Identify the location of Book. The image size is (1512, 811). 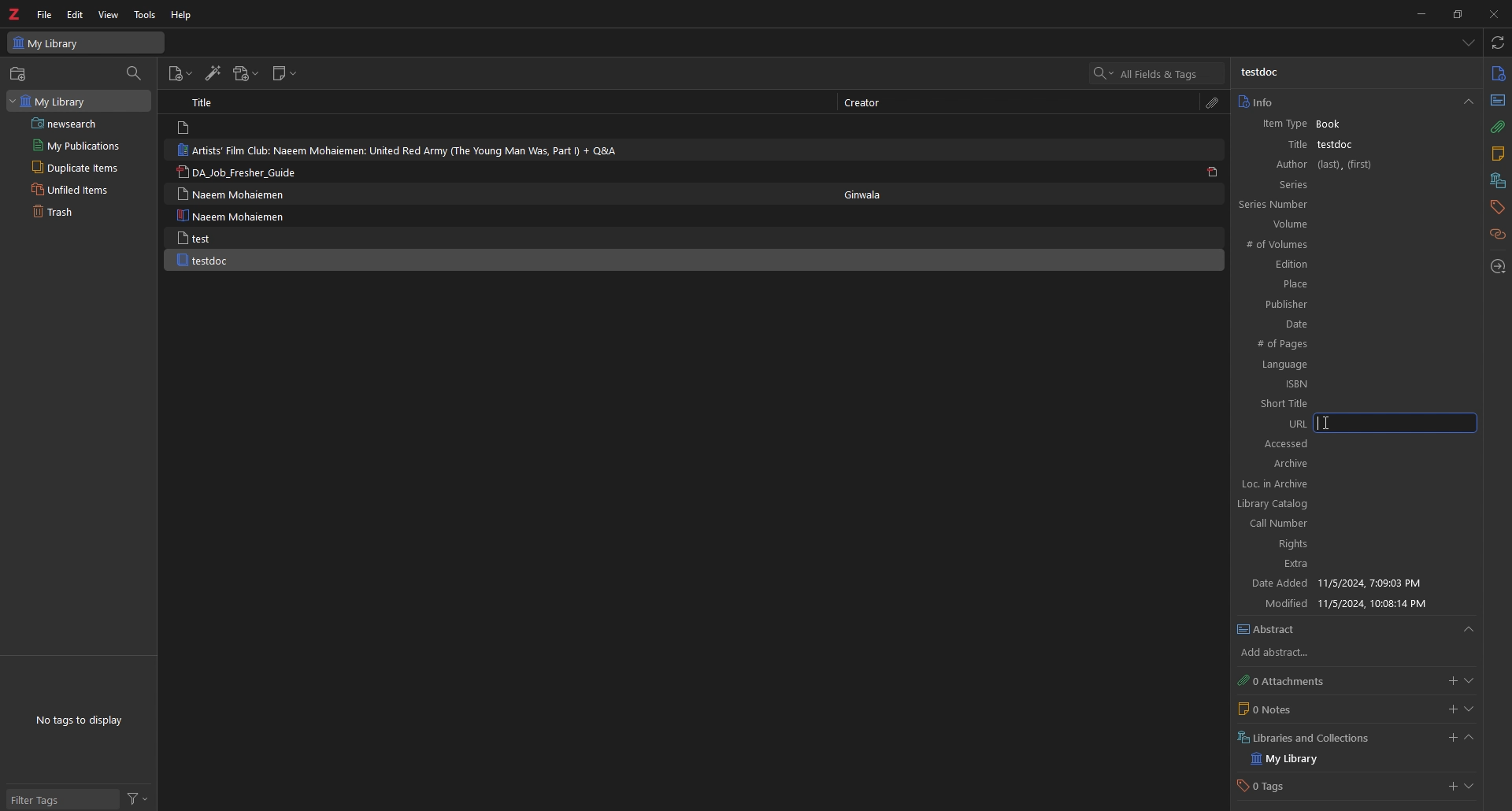
(1332, 124).